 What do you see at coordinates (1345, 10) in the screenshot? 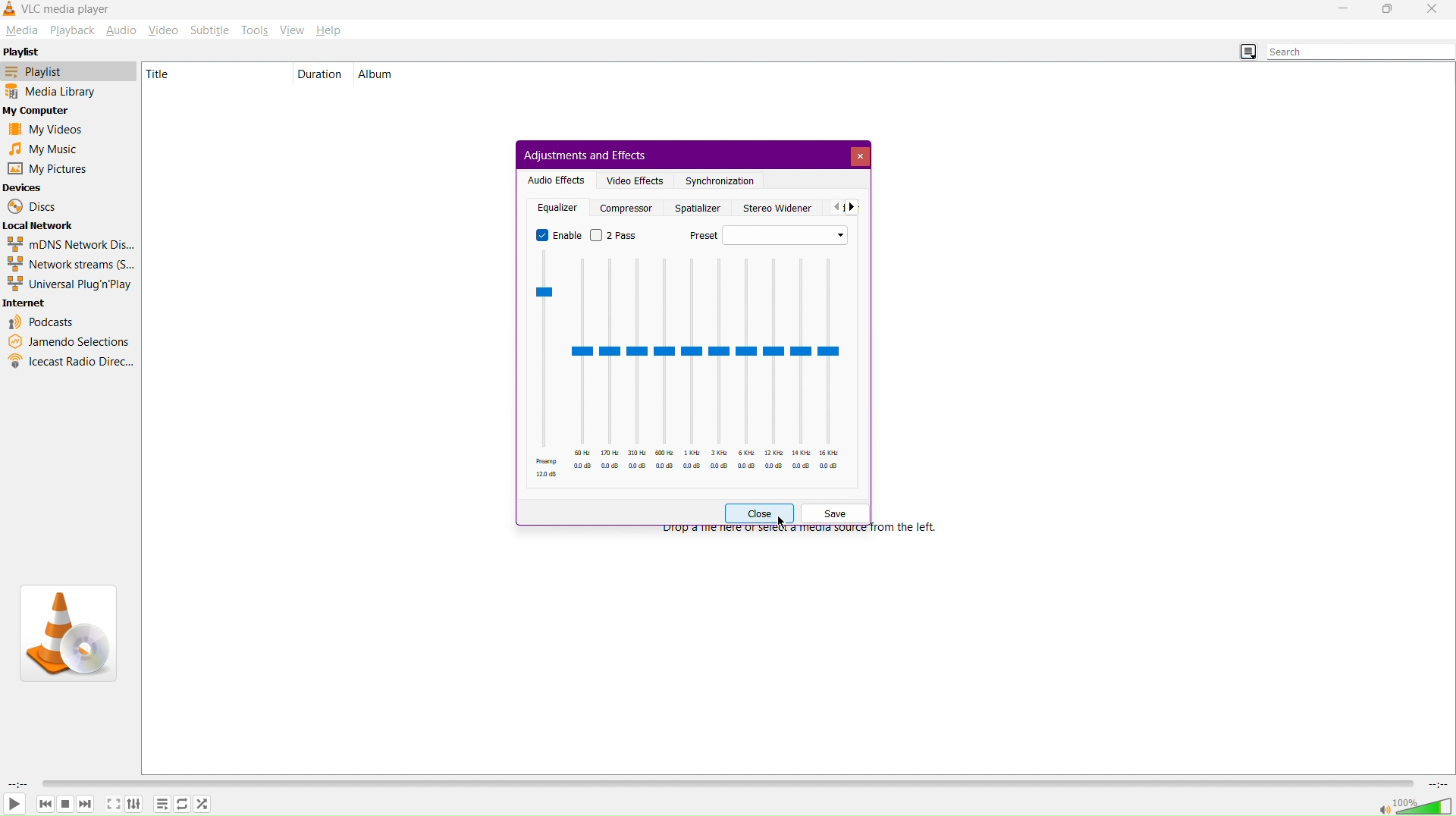
I see `Minimize` at bounding box center [1345, 10].